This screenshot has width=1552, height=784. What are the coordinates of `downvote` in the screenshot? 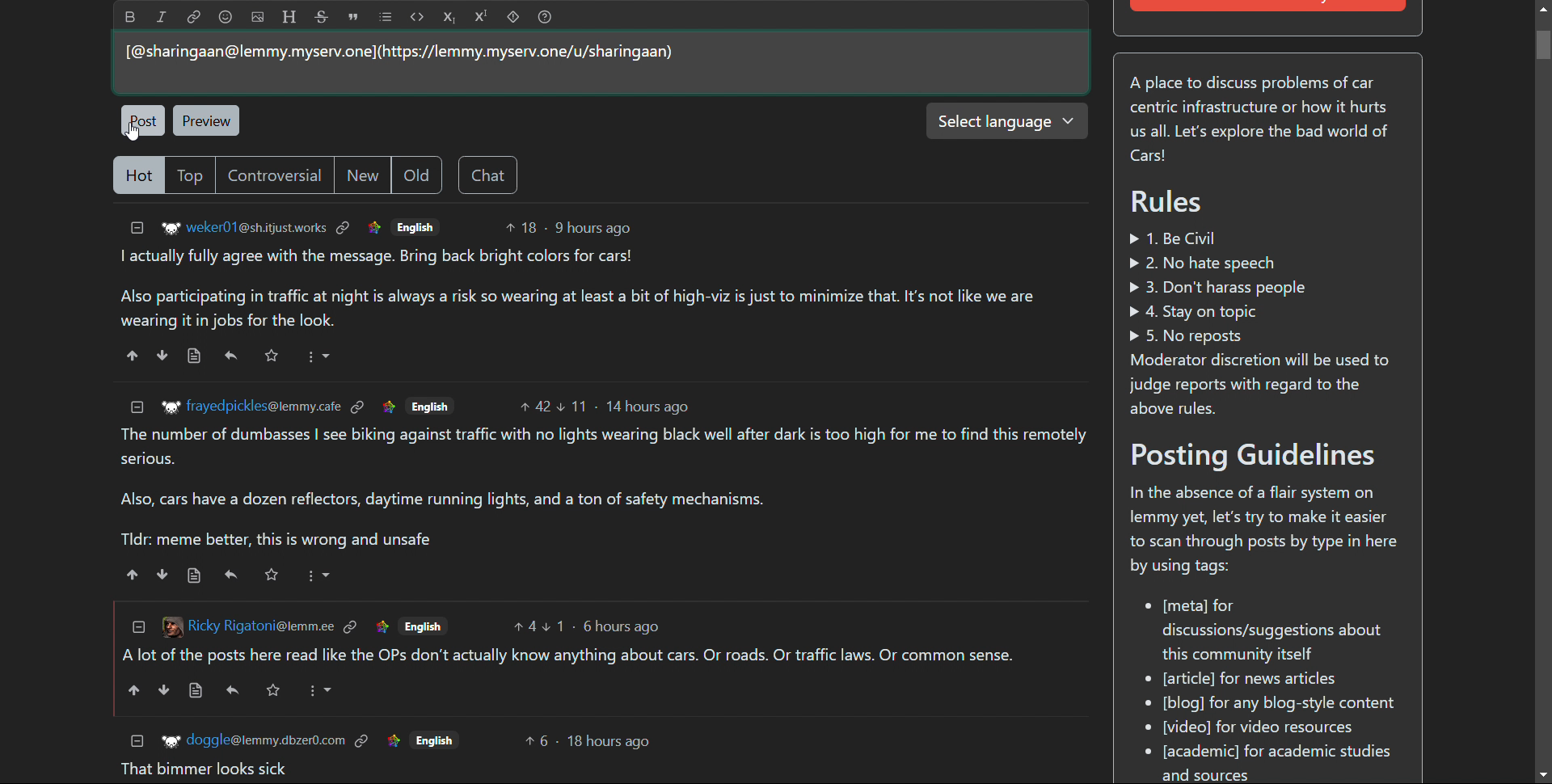 It's located at (163, 574).